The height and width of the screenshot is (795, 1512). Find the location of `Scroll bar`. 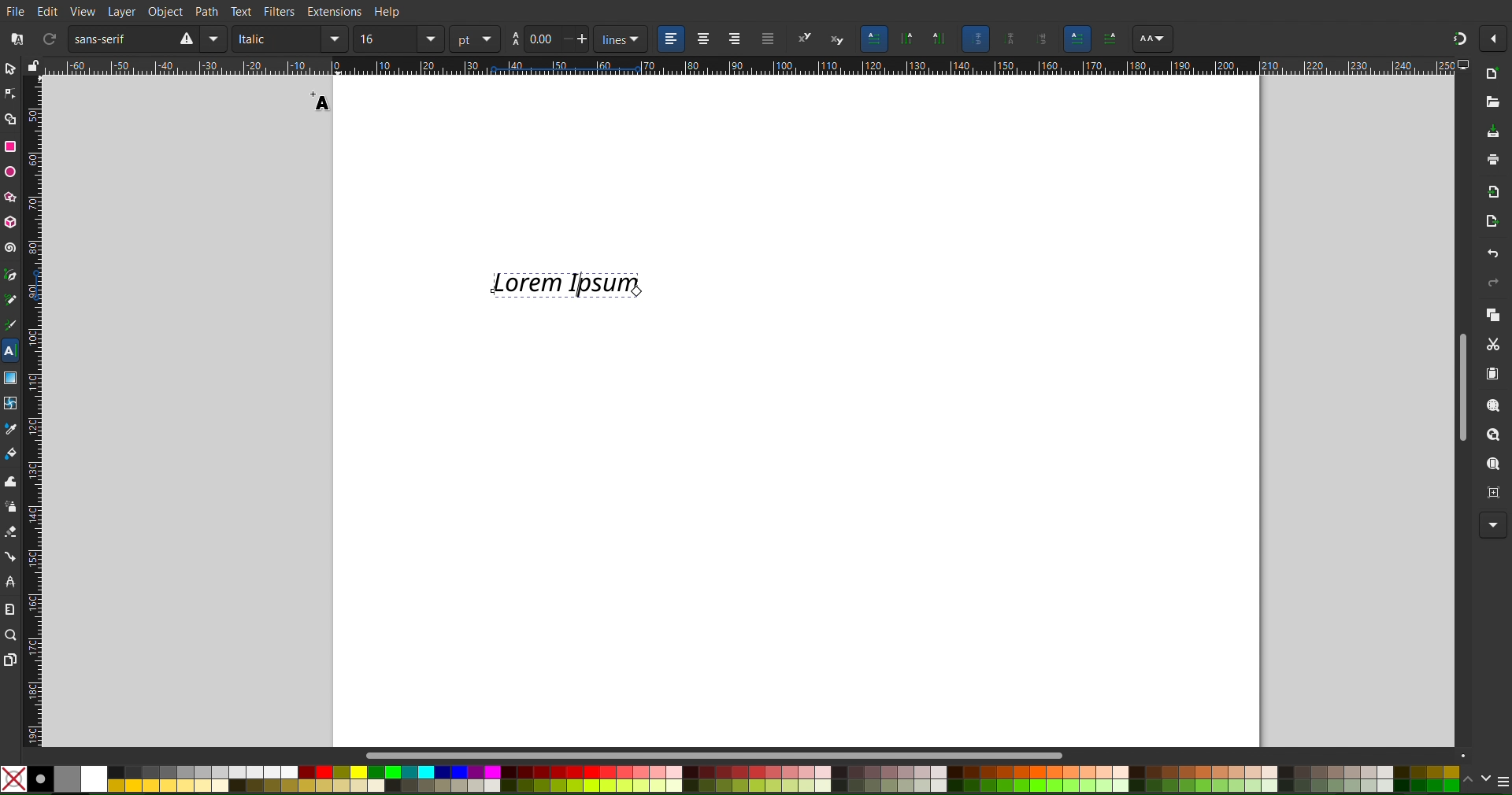

Scroll bar is located at coordinates (707, 751).